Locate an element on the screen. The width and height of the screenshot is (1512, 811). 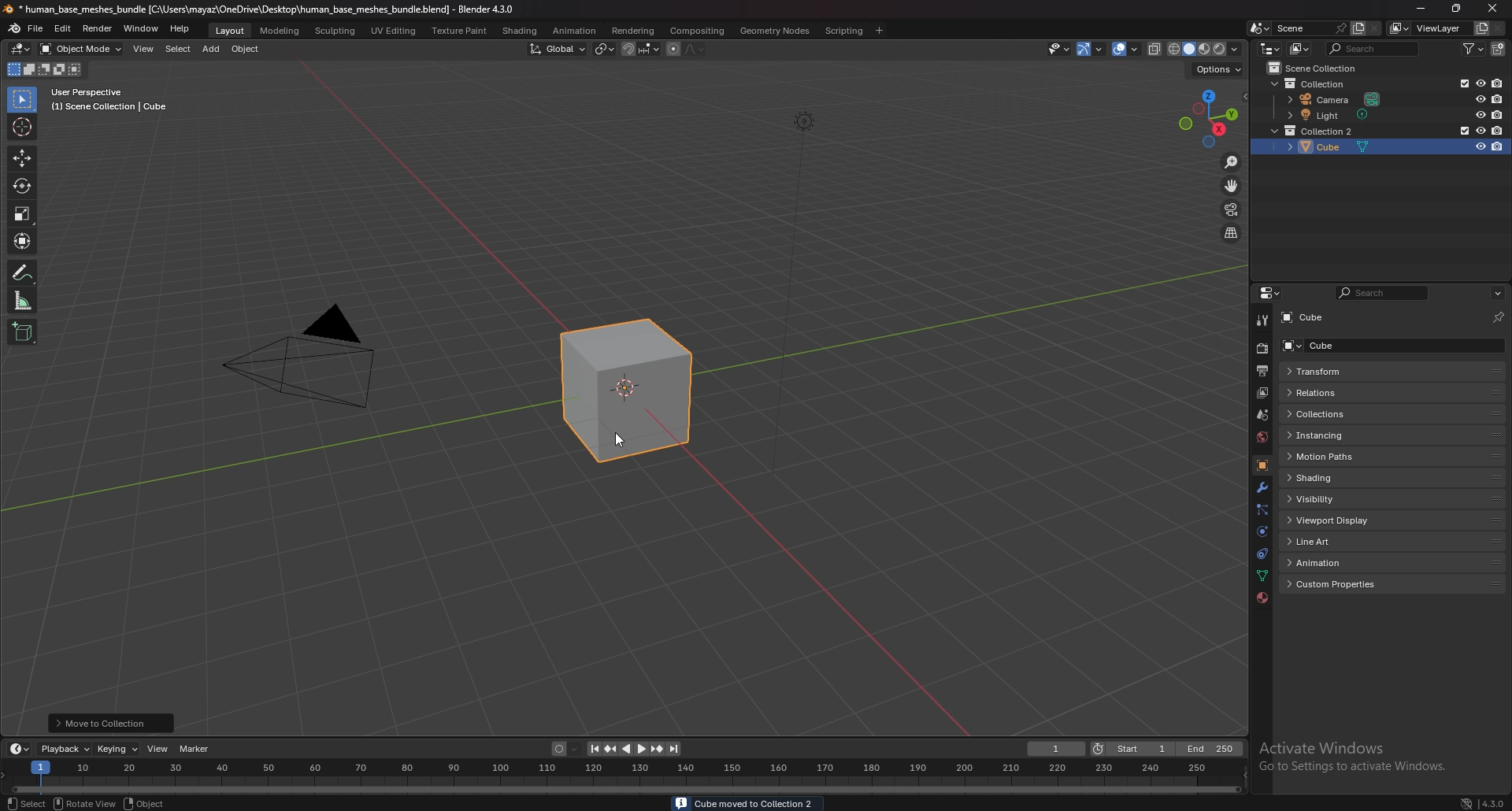
scene is located at coordinates (1263, 414).